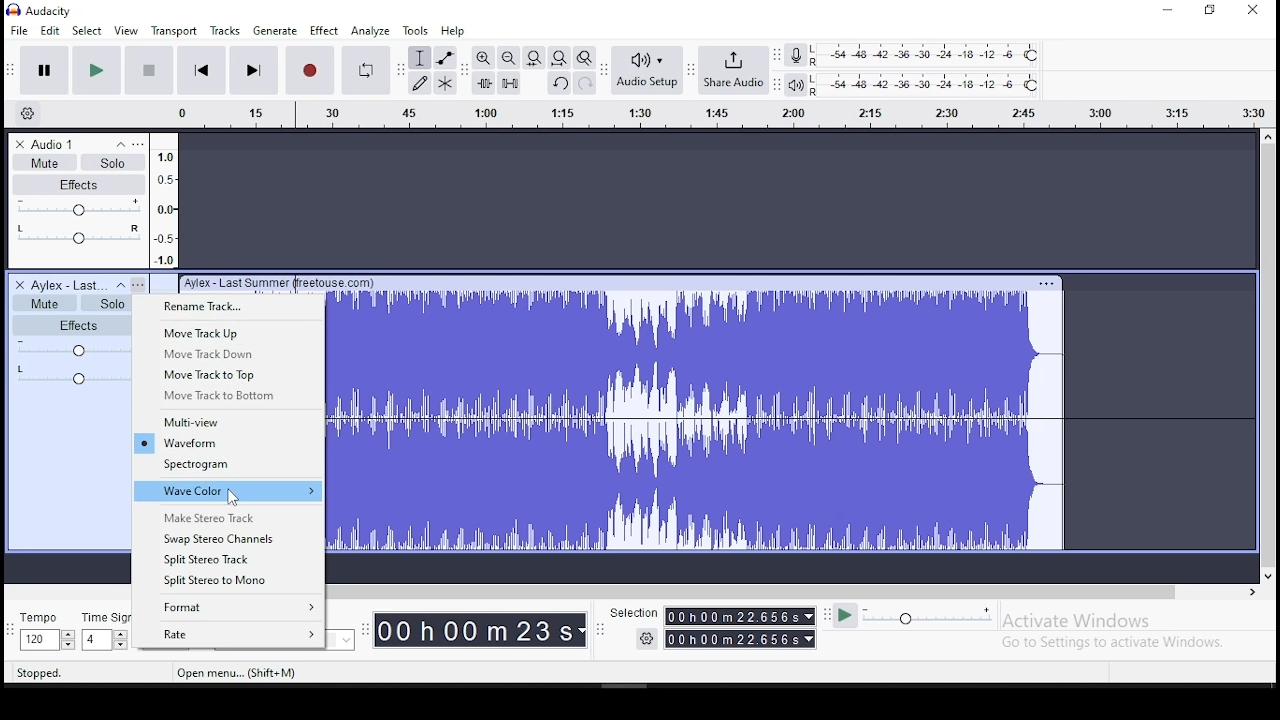  Describe the element at coordinates (533, 58) in the screenshot. I see `fit selection to width` at that location.